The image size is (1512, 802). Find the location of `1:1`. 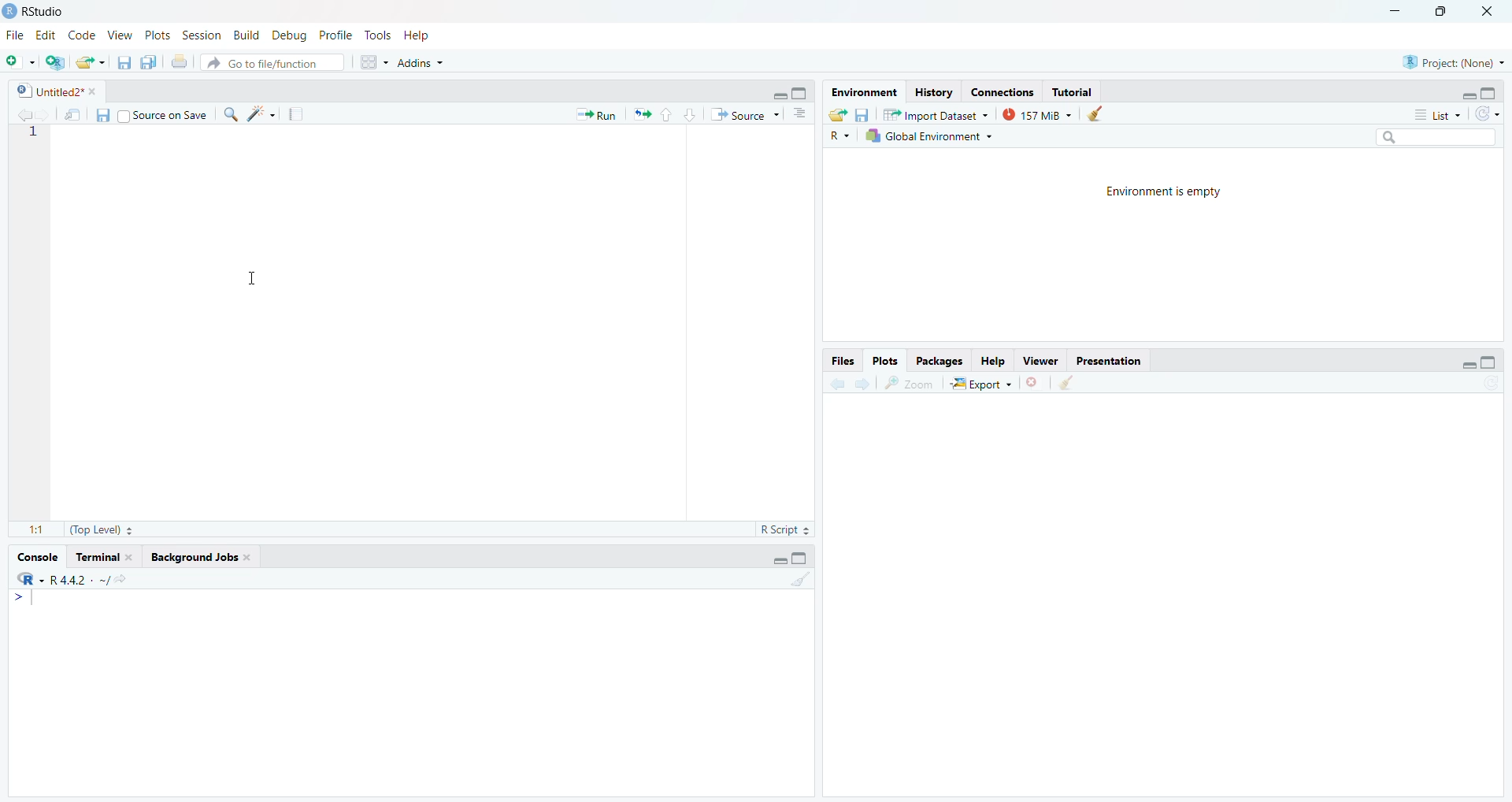

1:1 is located at coordinates (39, 529).